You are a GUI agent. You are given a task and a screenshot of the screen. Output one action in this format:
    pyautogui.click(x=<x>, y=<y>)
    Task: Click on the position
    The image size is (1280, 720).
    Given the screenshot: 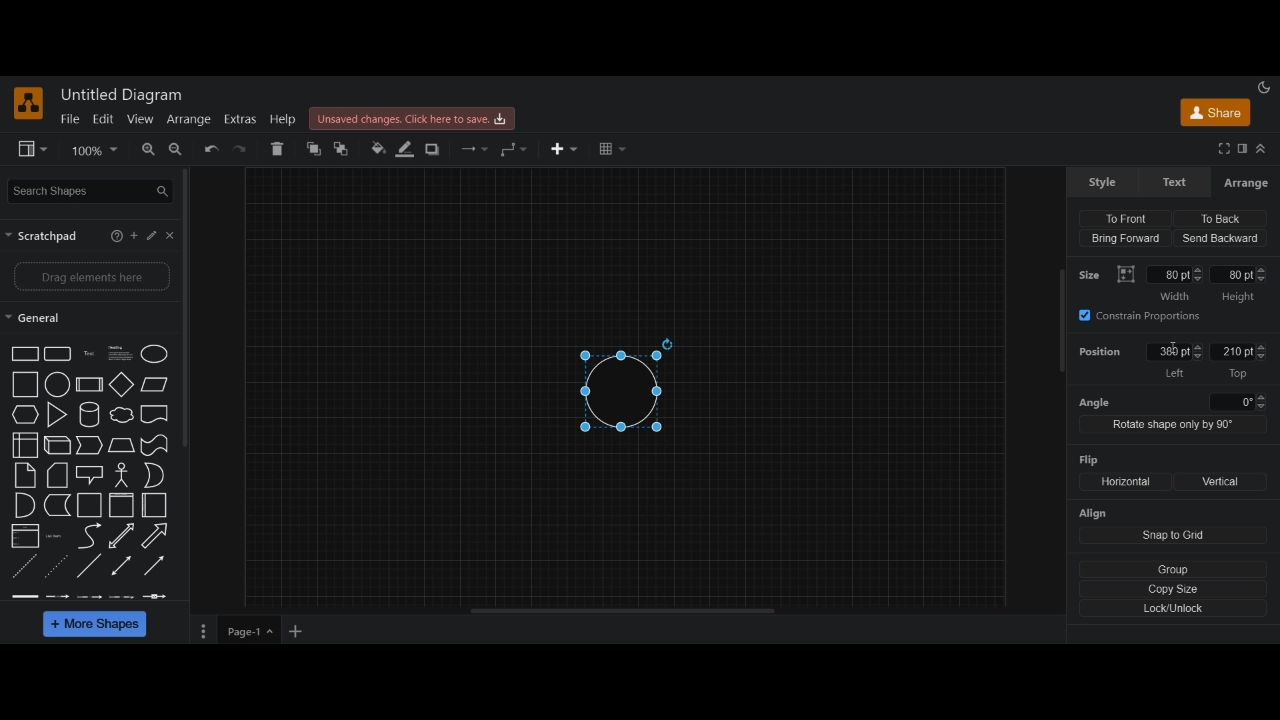 What is the action you would take?
    pyautogui.click(x=1101, y=354)
    